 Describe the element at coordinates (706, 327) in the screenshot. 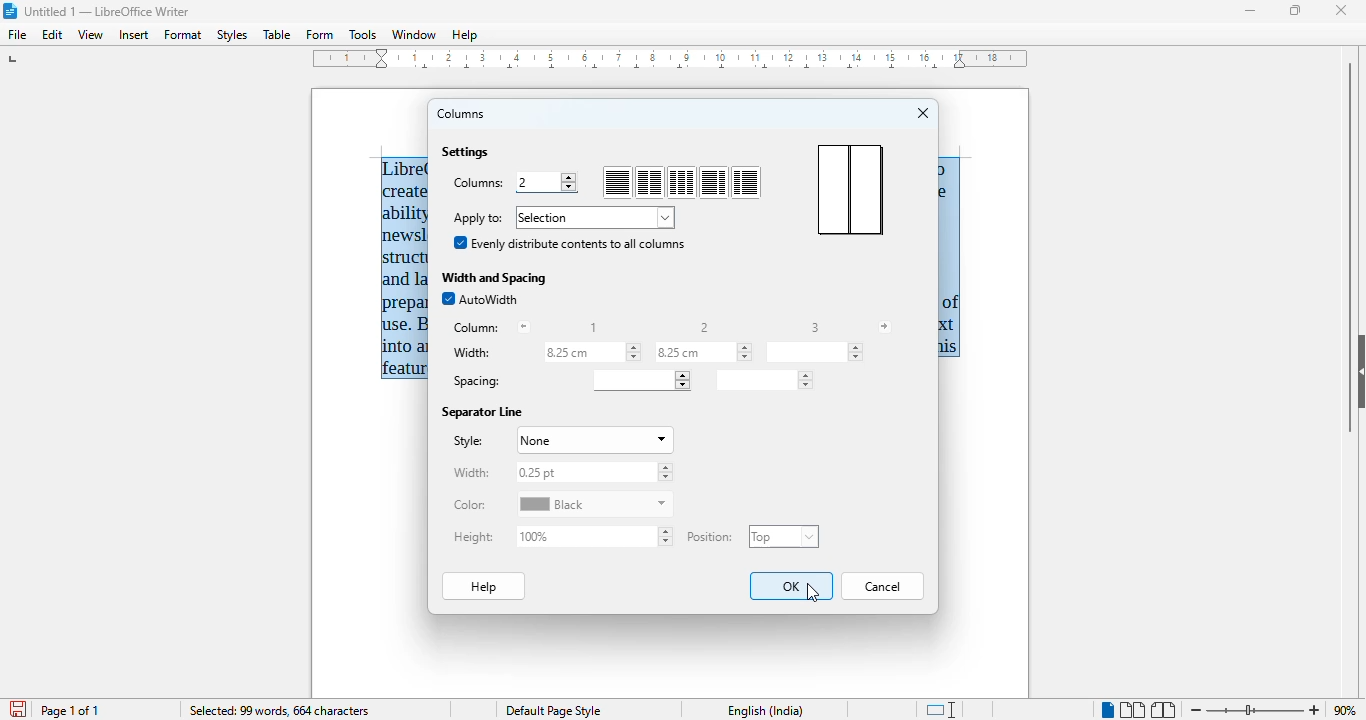

I see `2` at that location.